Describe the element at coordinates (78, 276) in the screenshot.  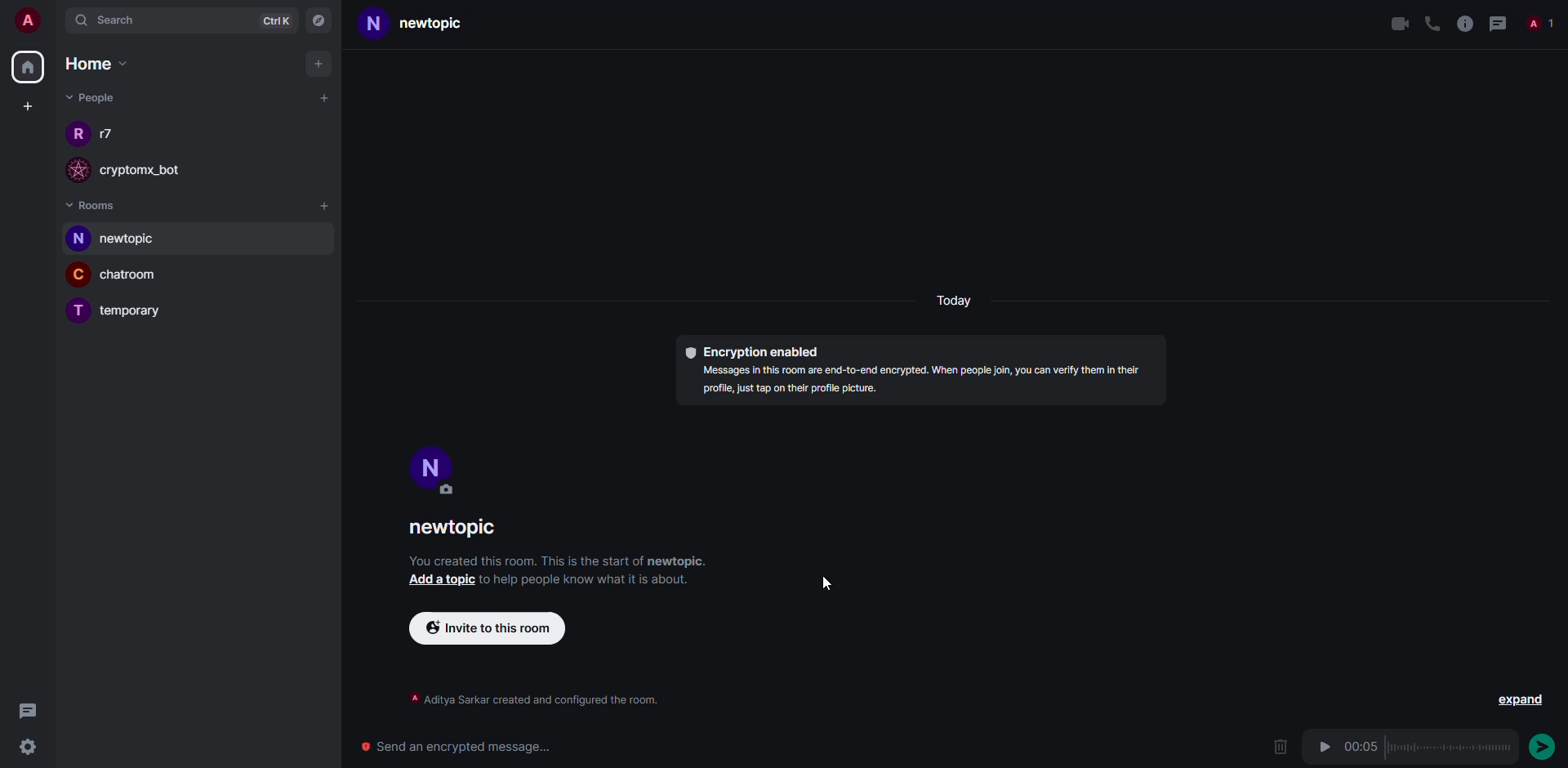
I see `C` at that location.